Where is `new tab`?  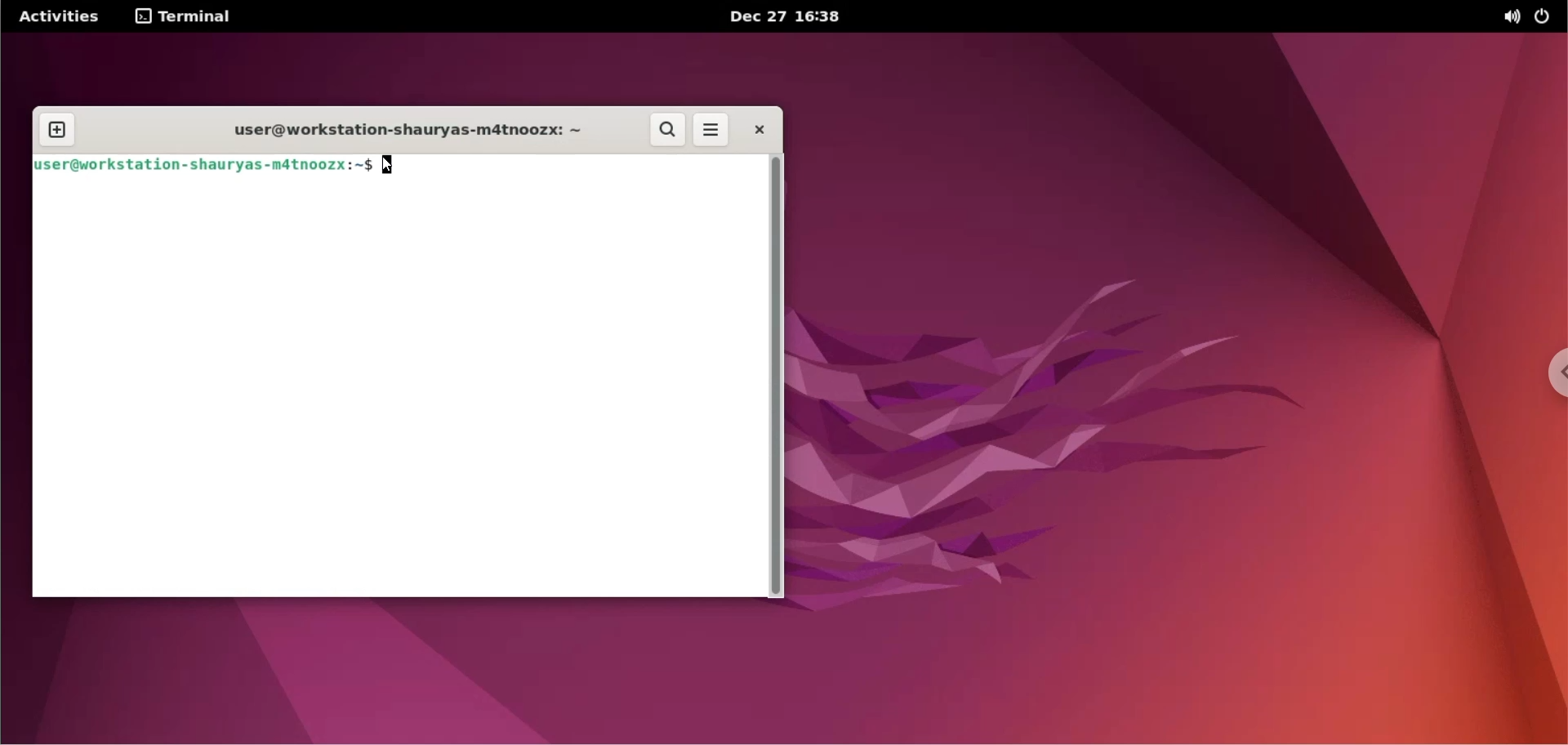
new tab is located at coordinates (55, 130).